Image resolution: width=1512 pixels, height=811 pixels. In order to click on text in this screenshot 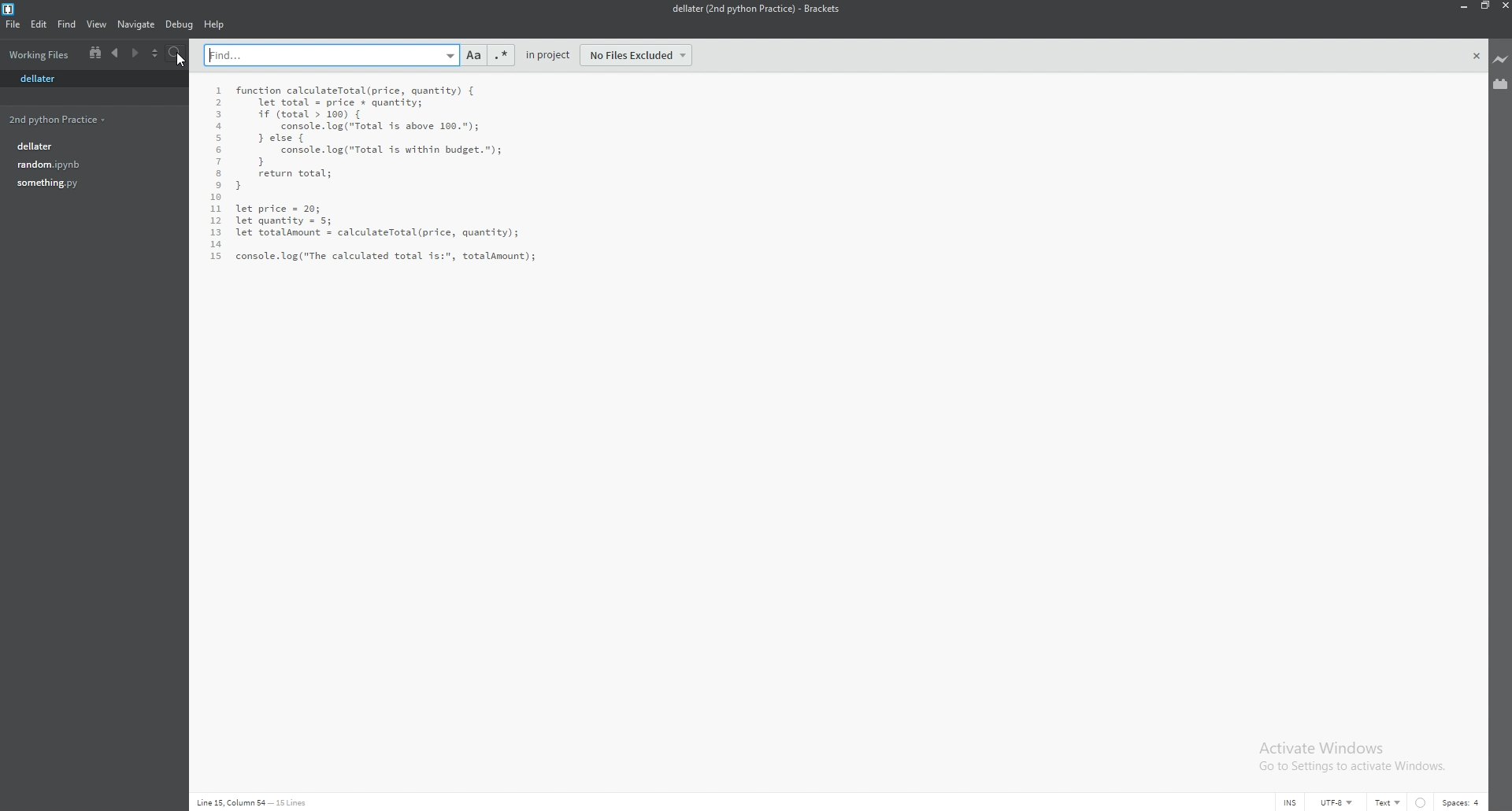, I will do `click(1388, 802)`.